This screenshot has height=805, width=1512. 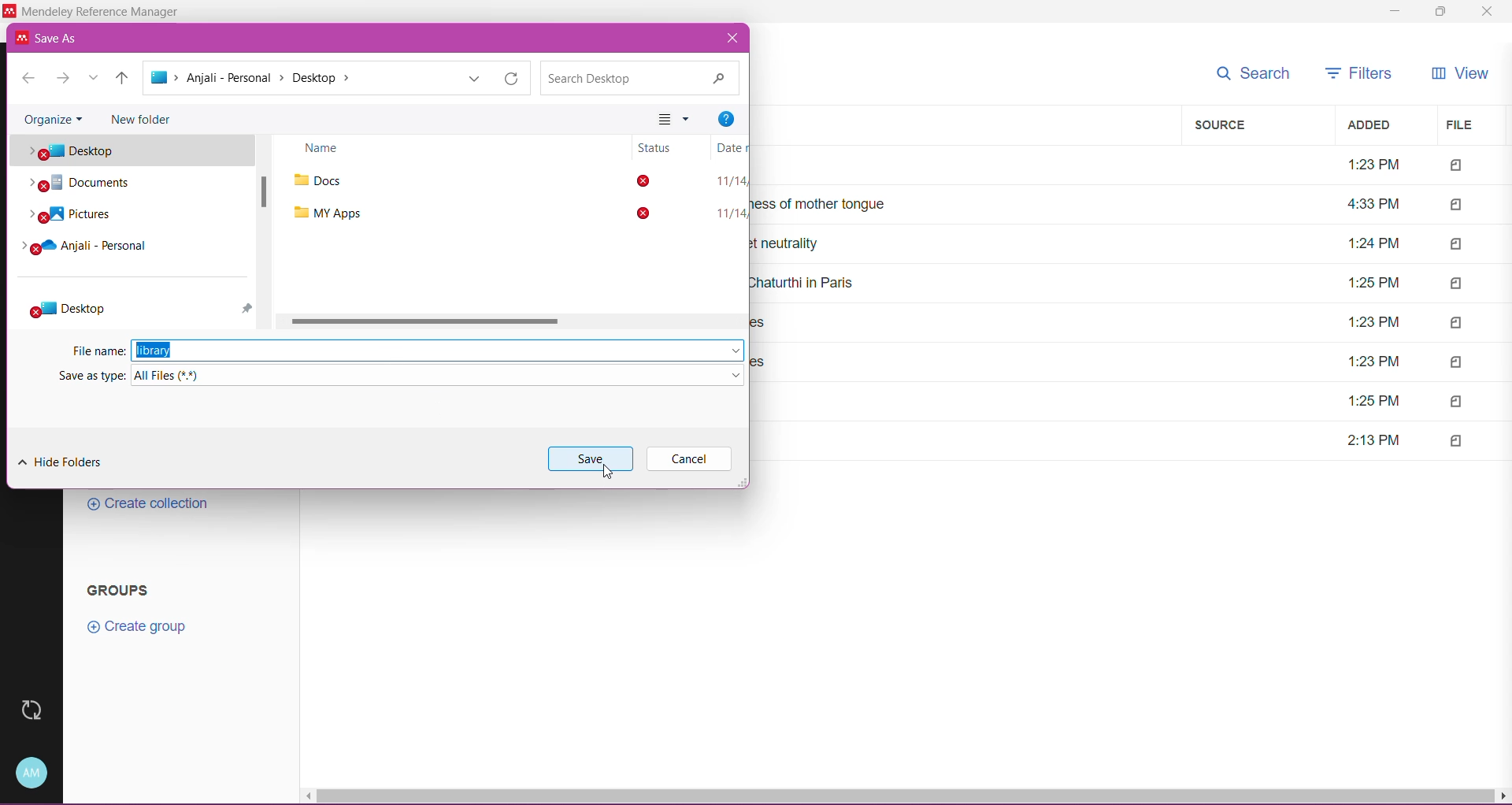 What do you see at coordinates (68, 216) in the screenshot?
I see `Pictures` at bounding box center [68, 216].